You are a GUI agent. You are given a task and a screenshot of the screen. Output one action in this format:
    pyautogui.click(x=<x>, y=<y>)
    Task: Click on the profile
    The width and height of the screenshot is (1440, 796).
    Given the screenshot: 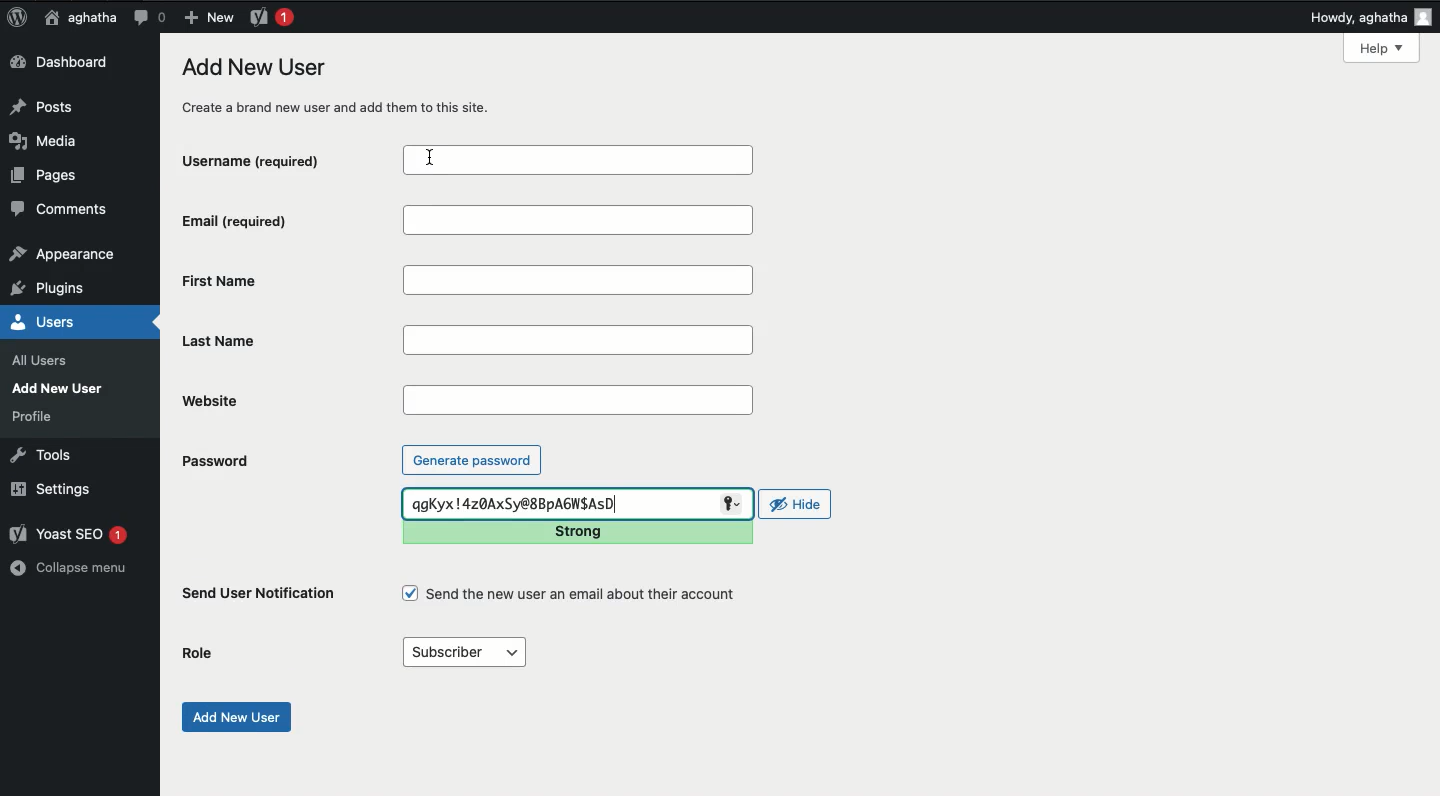 What is the action you would take?
    pyautogui.click(x=38, y=416)
    